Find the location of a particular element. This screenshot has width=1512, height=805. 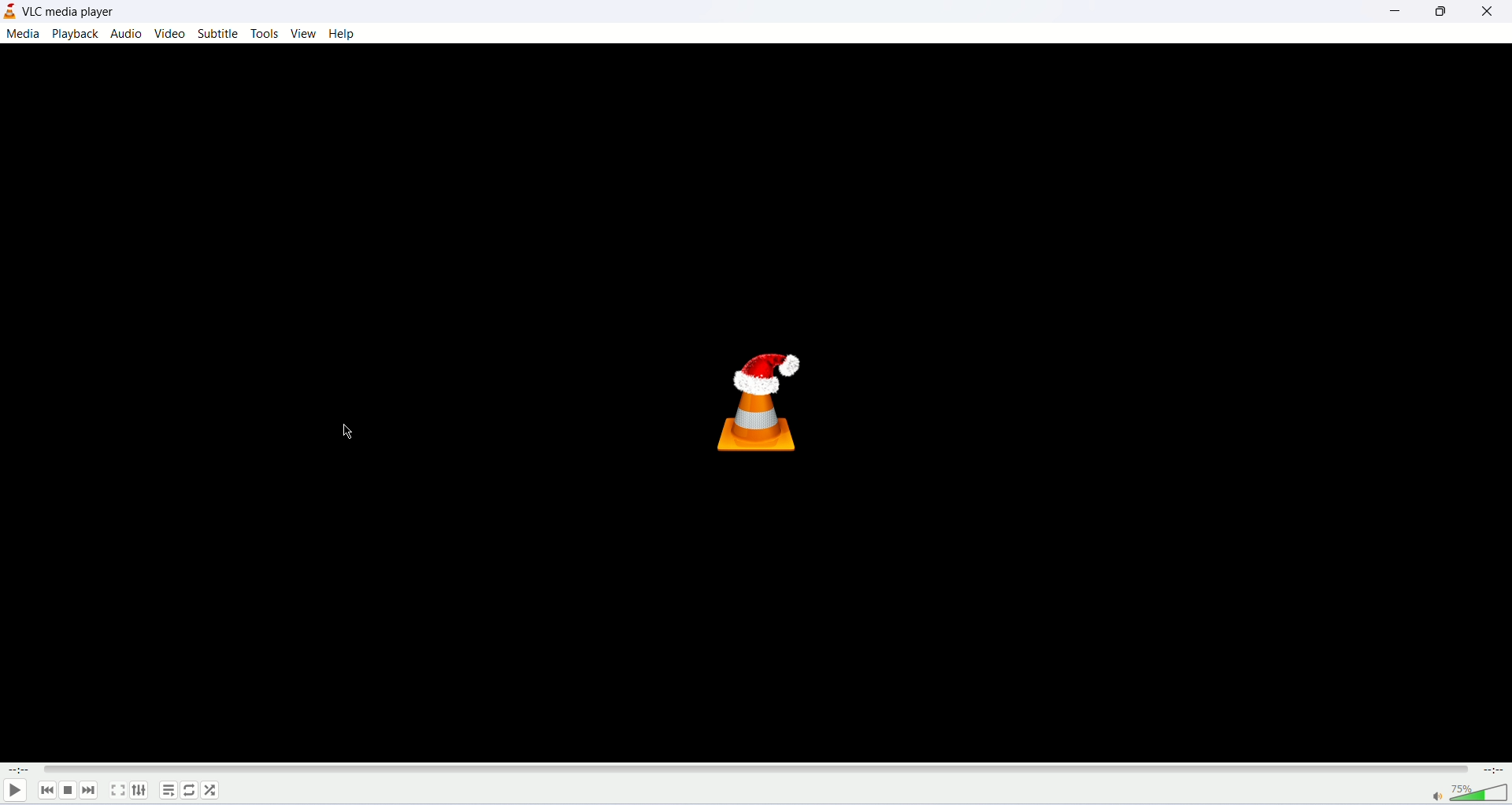

playback is located at coordinates (76, 33).